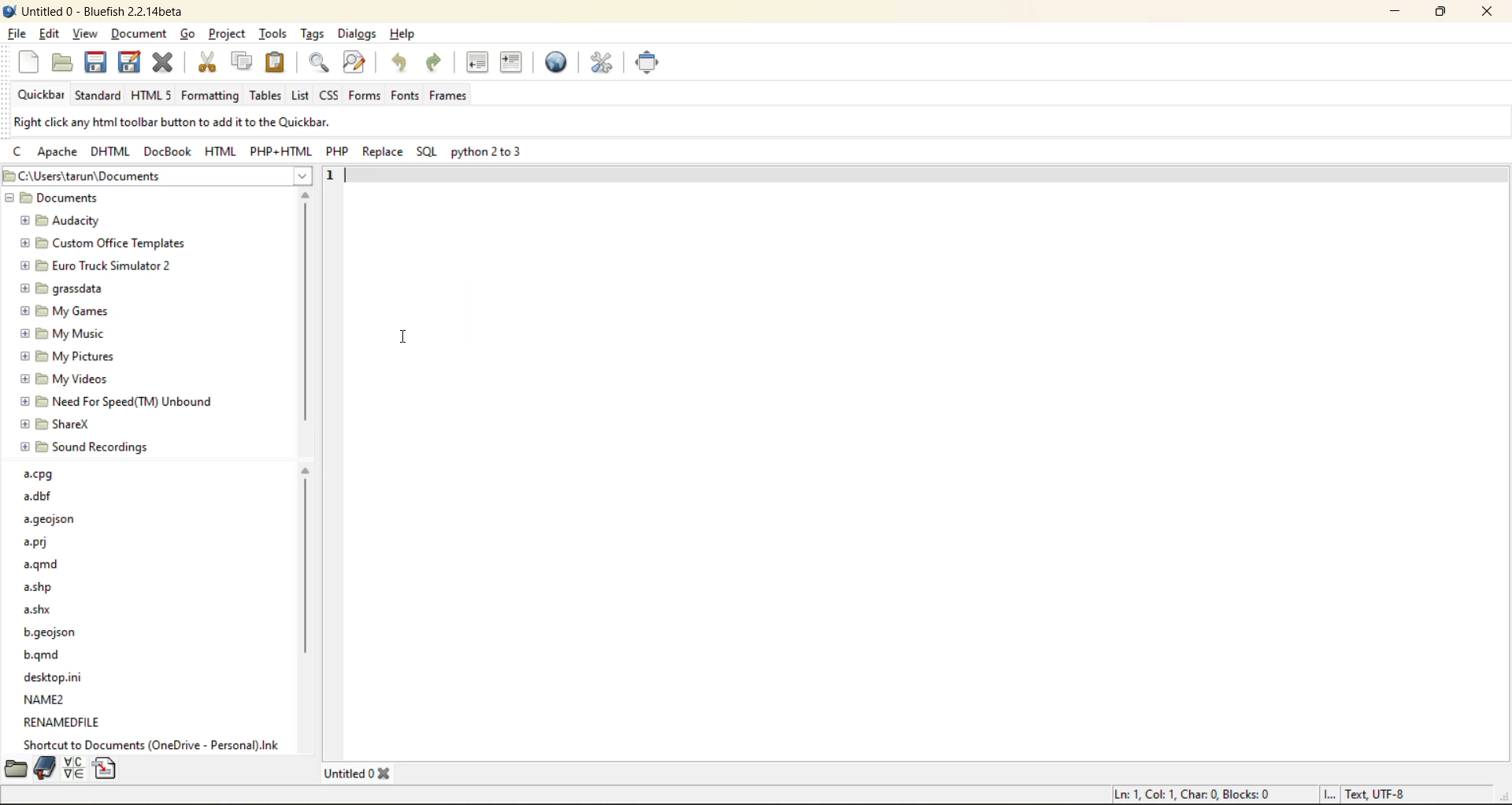  I want to click on document, so click(139, 31).